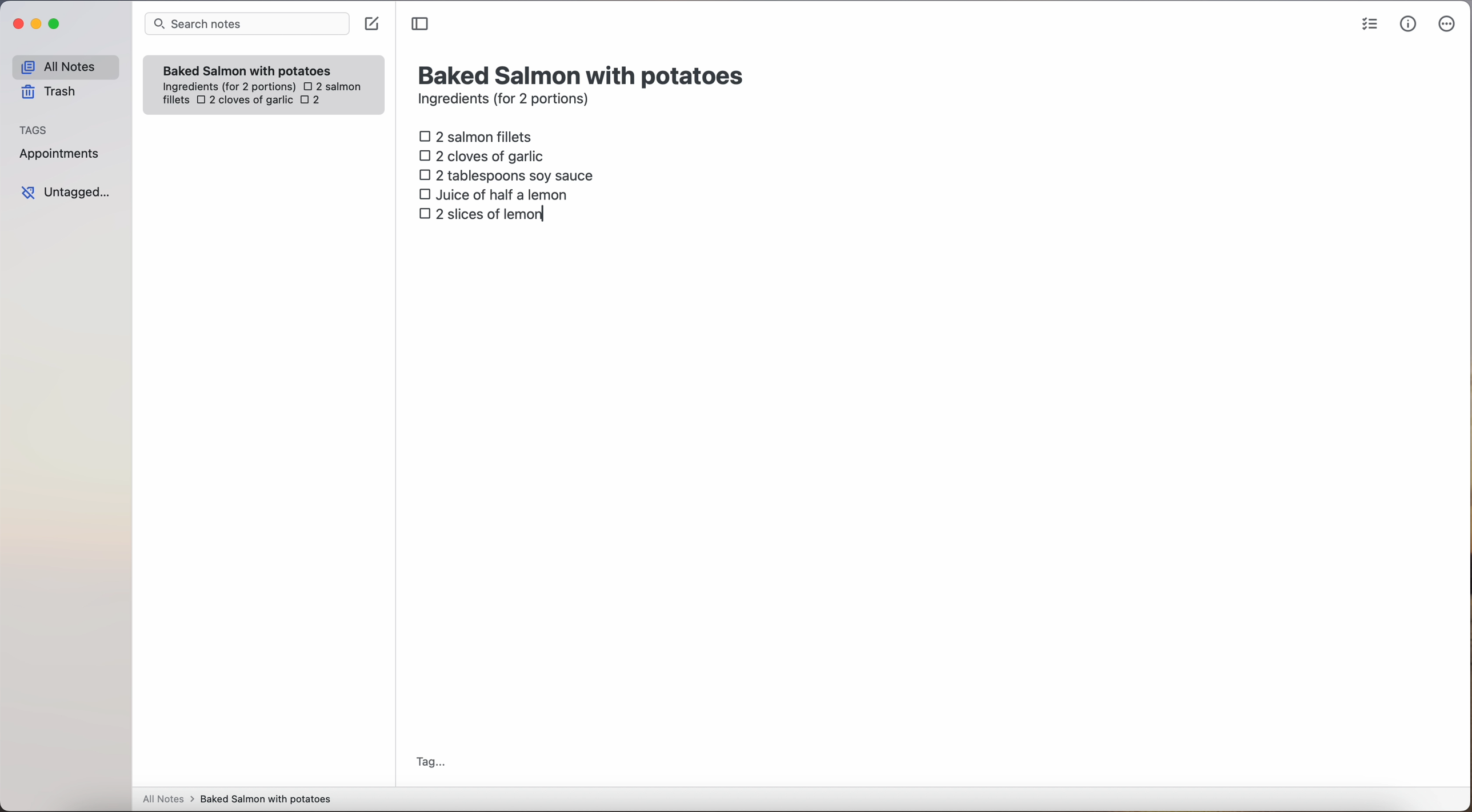  What do you see at coordinates (36, 25) in the screenshot?
I see `minimize Simplenote` at bounding box center [36, 25].